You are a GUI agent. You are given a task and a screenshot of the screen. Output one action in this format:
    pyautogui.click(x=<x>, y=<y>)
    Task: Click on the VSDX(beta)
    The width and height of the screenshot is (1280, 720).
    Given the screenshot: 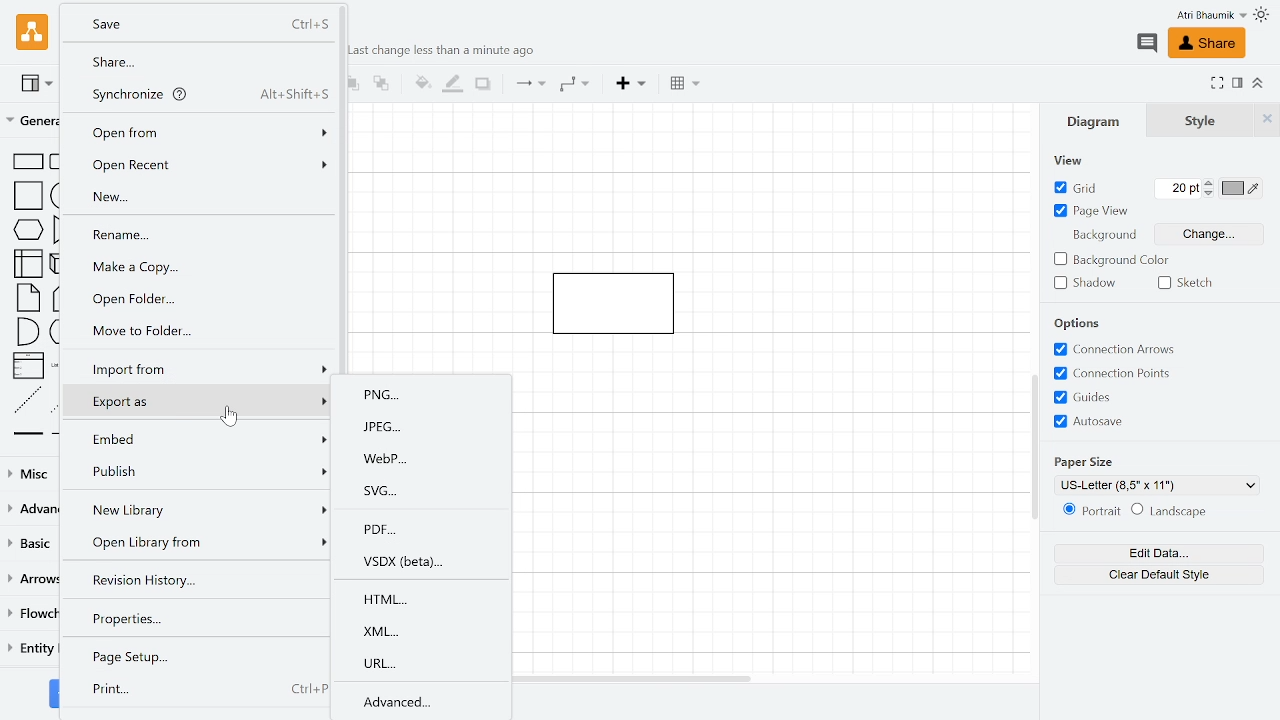 What is the action you would take?
    pyautogui.click(x=422, y=562)
    